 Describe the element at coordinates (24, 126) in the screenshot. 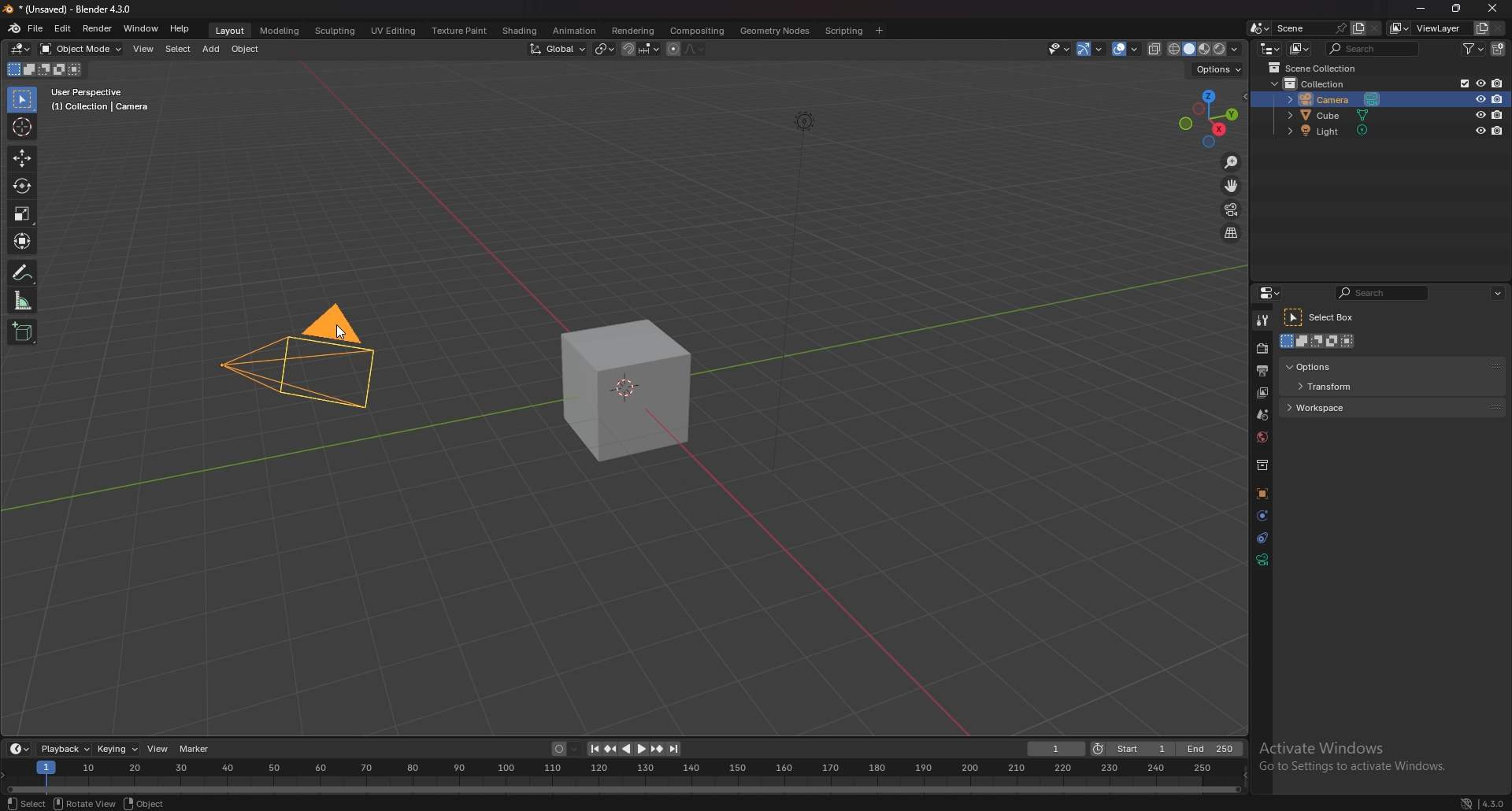

I see `cursor` at that location.